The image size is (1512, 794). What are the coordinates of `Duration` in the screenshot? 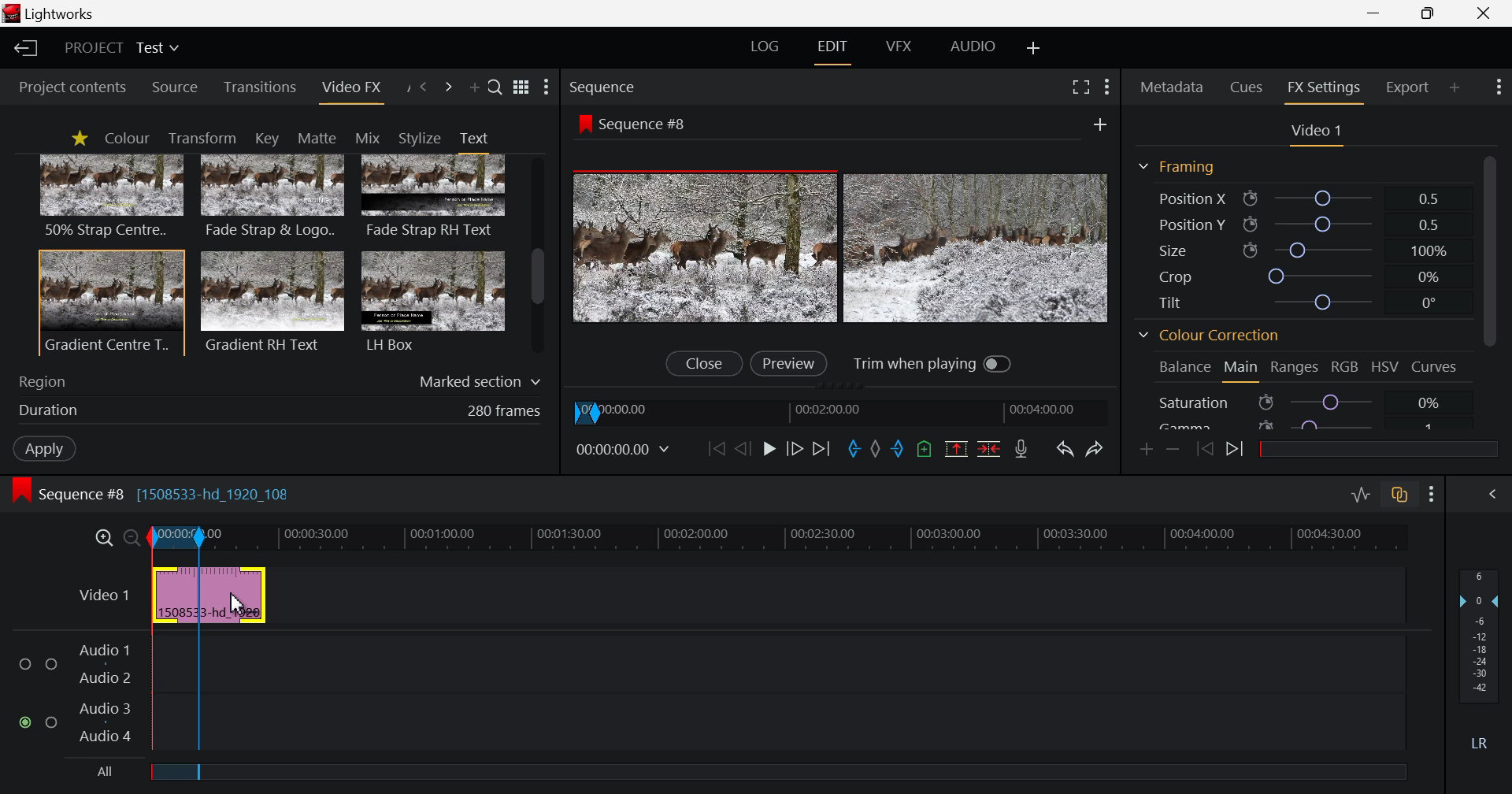 It's located at (276, 410).